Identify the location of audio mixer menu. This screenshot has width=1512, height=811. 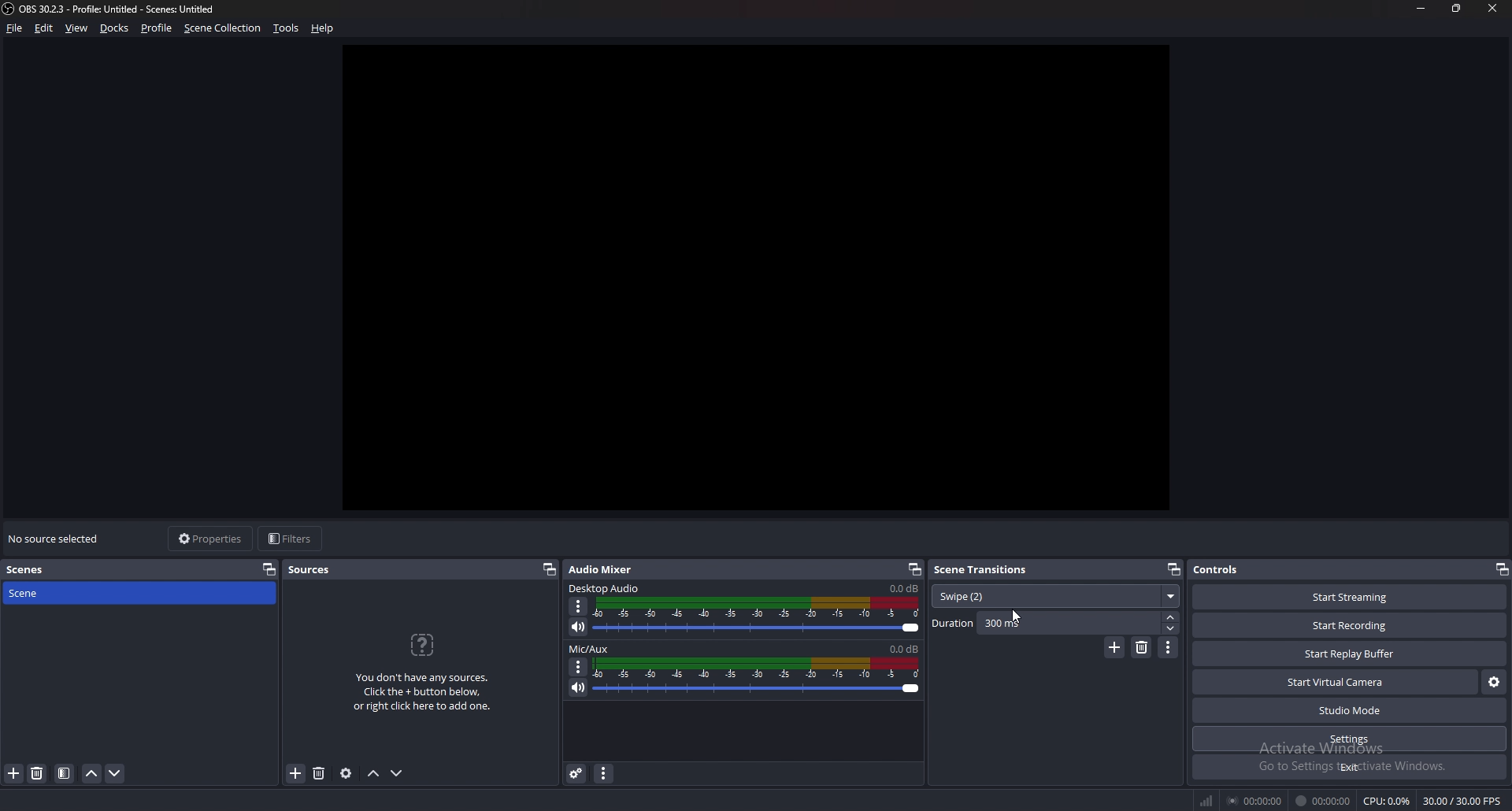
(603, 772).